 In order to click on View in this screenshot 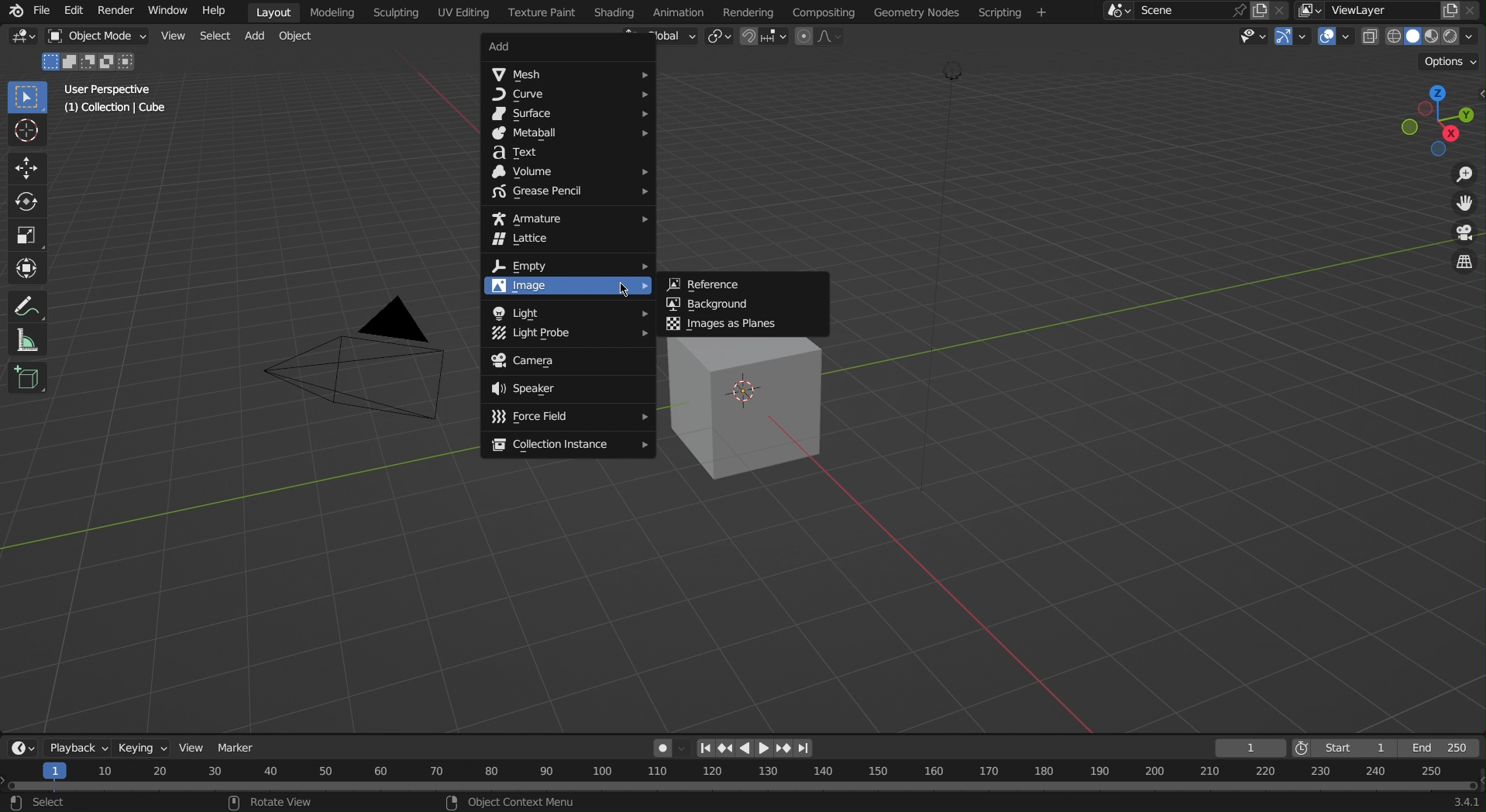, I will do `click(194, 746)`.